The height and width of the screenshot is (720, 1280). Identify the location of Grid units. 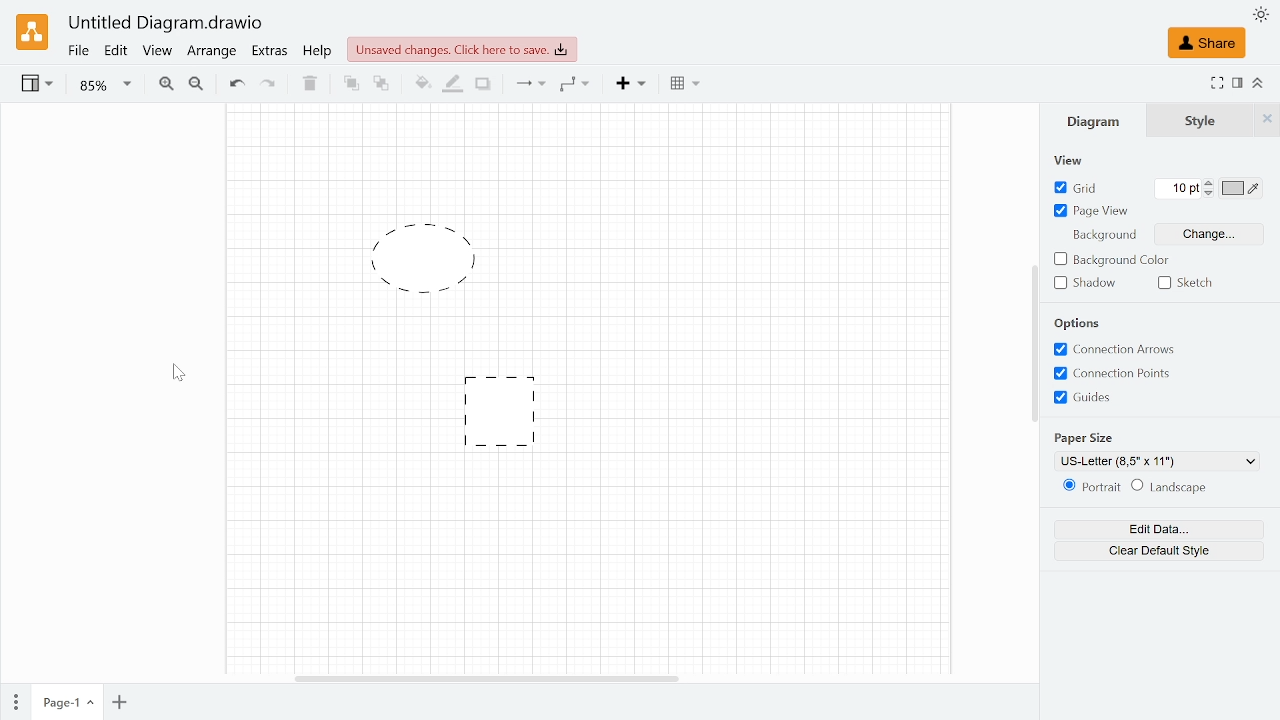
(1178, 188).